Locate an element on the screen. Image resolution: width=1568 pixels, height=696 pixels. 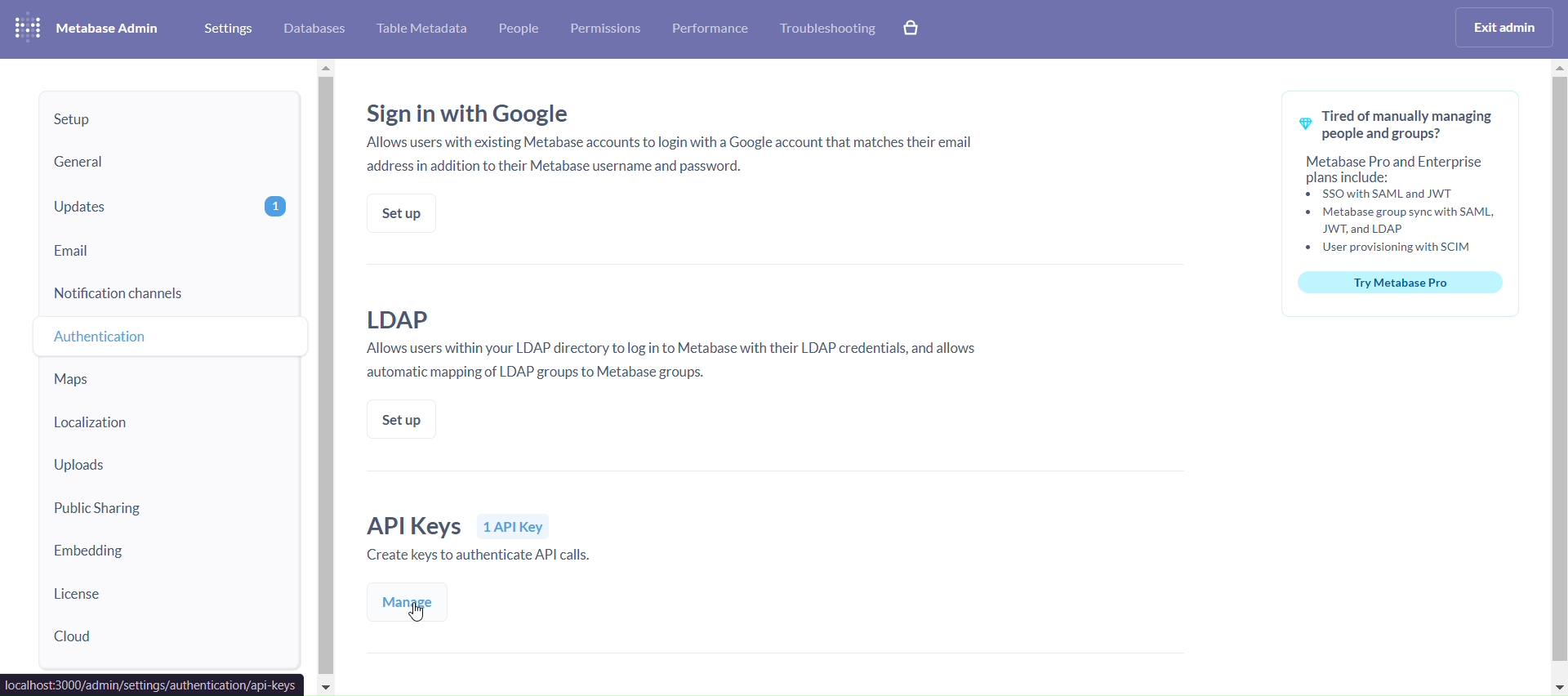
embedding is located at coordinates (167, 553).